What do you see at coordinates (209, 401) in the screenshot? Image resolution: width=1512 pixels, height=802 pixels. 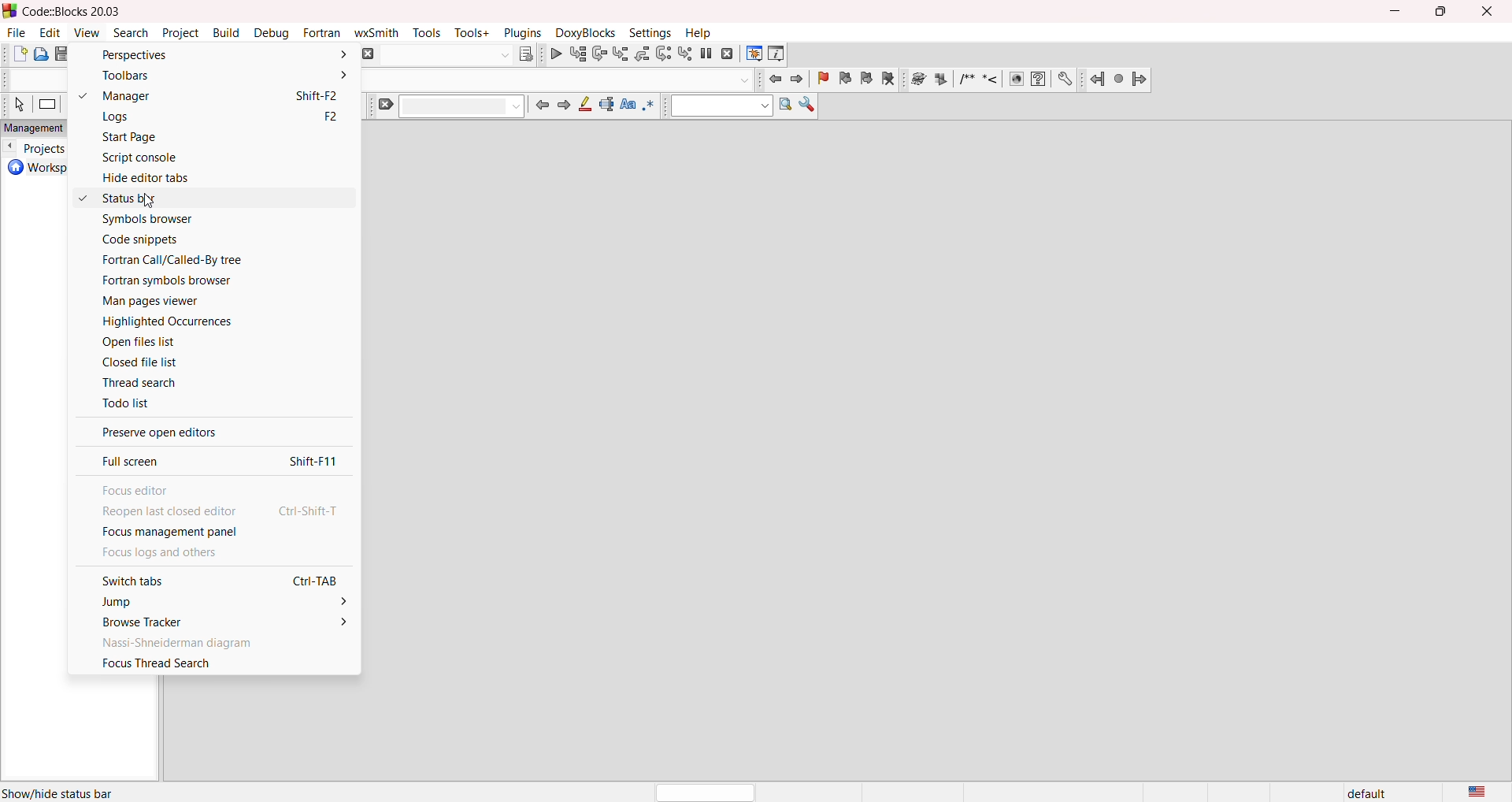 I see `todo list` at bounding box center [209, 401].